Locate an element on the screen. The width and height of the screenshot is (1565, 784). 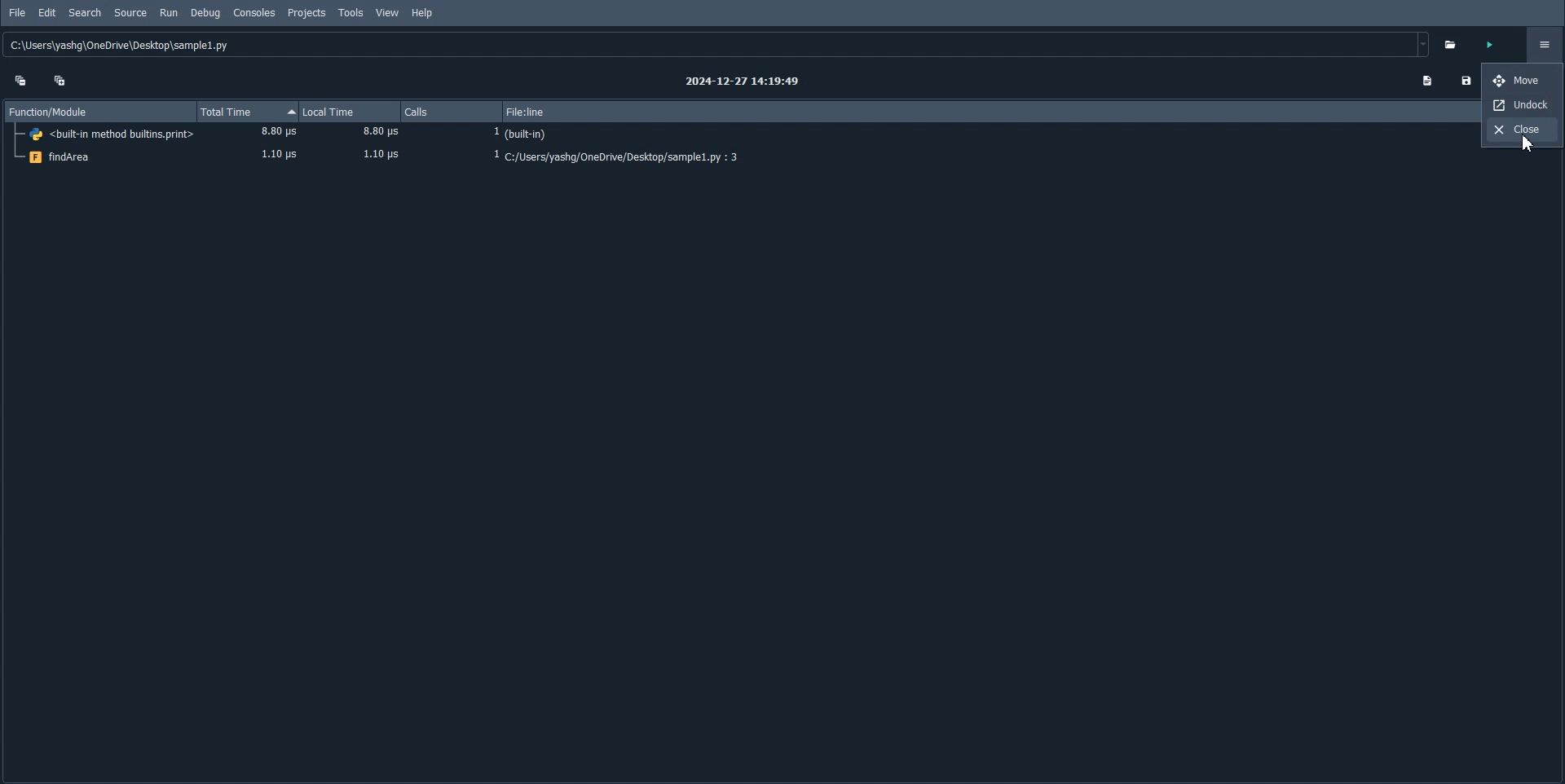
Local Time is located at coordinates (350, 112).